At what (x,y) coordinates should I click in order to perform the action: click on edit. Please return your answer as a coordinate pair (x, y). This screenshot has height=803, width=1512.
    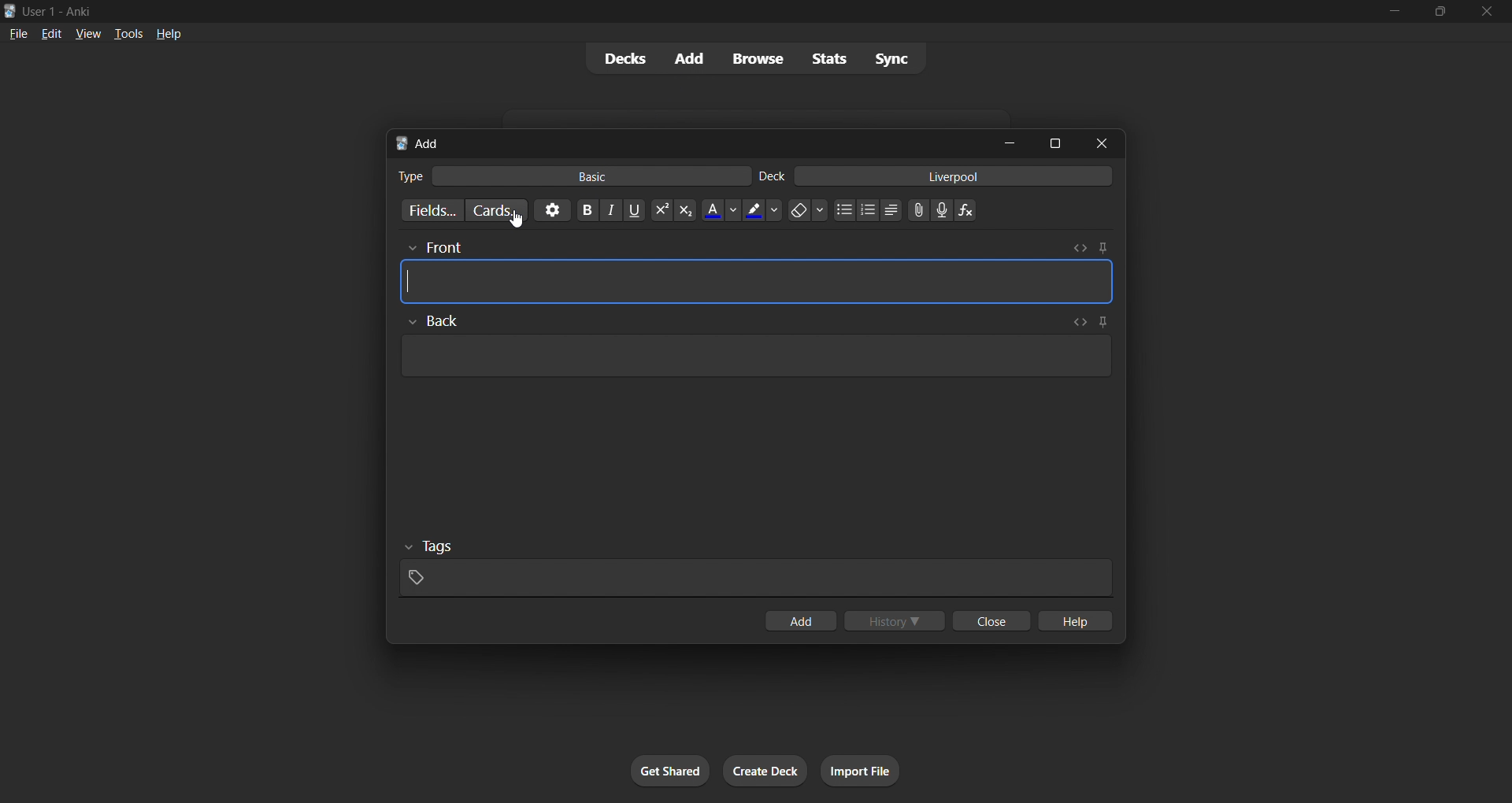
    Looking at the image, I should click on (51, 35).